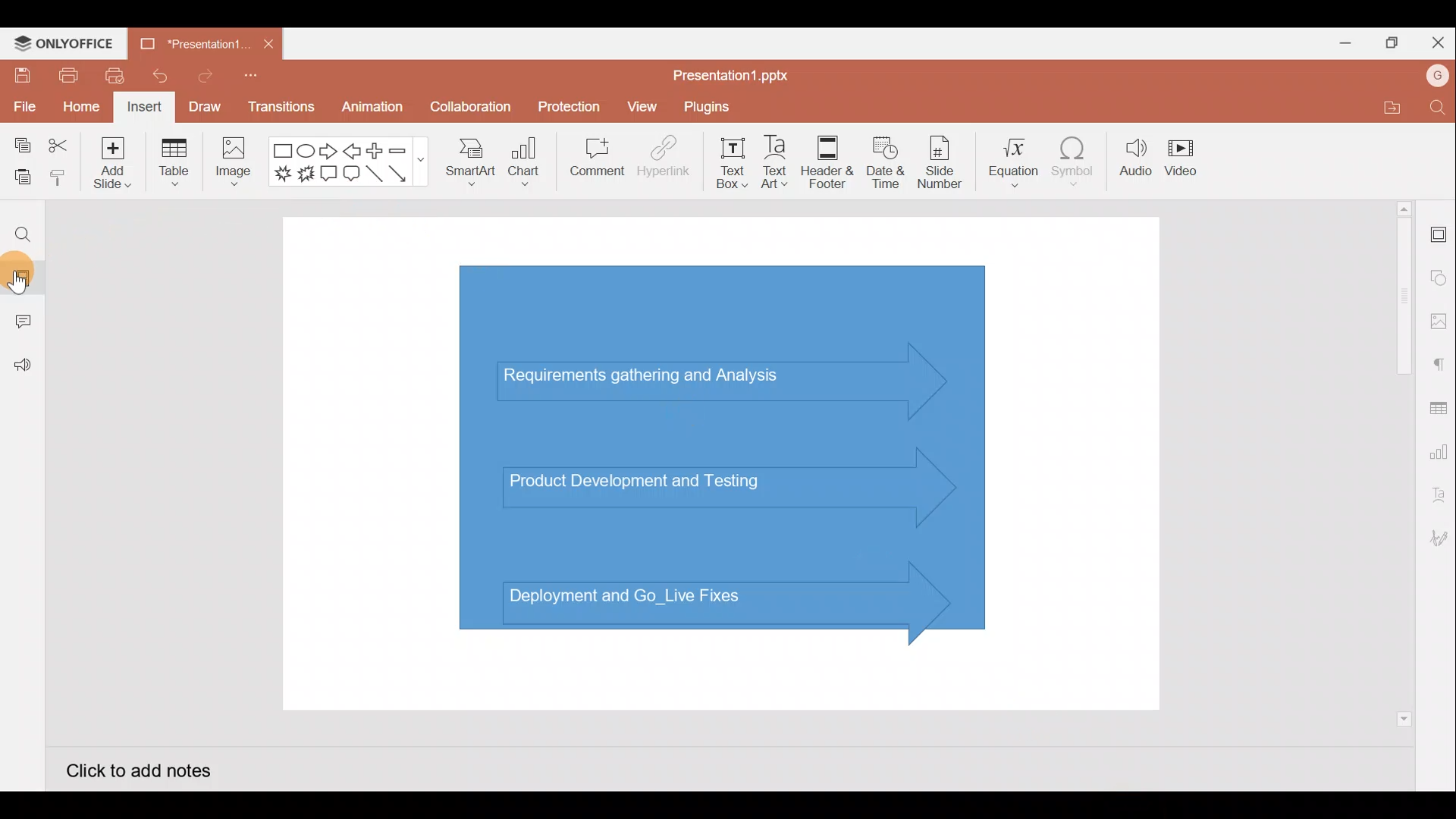 This screenshot has height=819, width=1456. I want to click on Header & footer, so click(831, 162).